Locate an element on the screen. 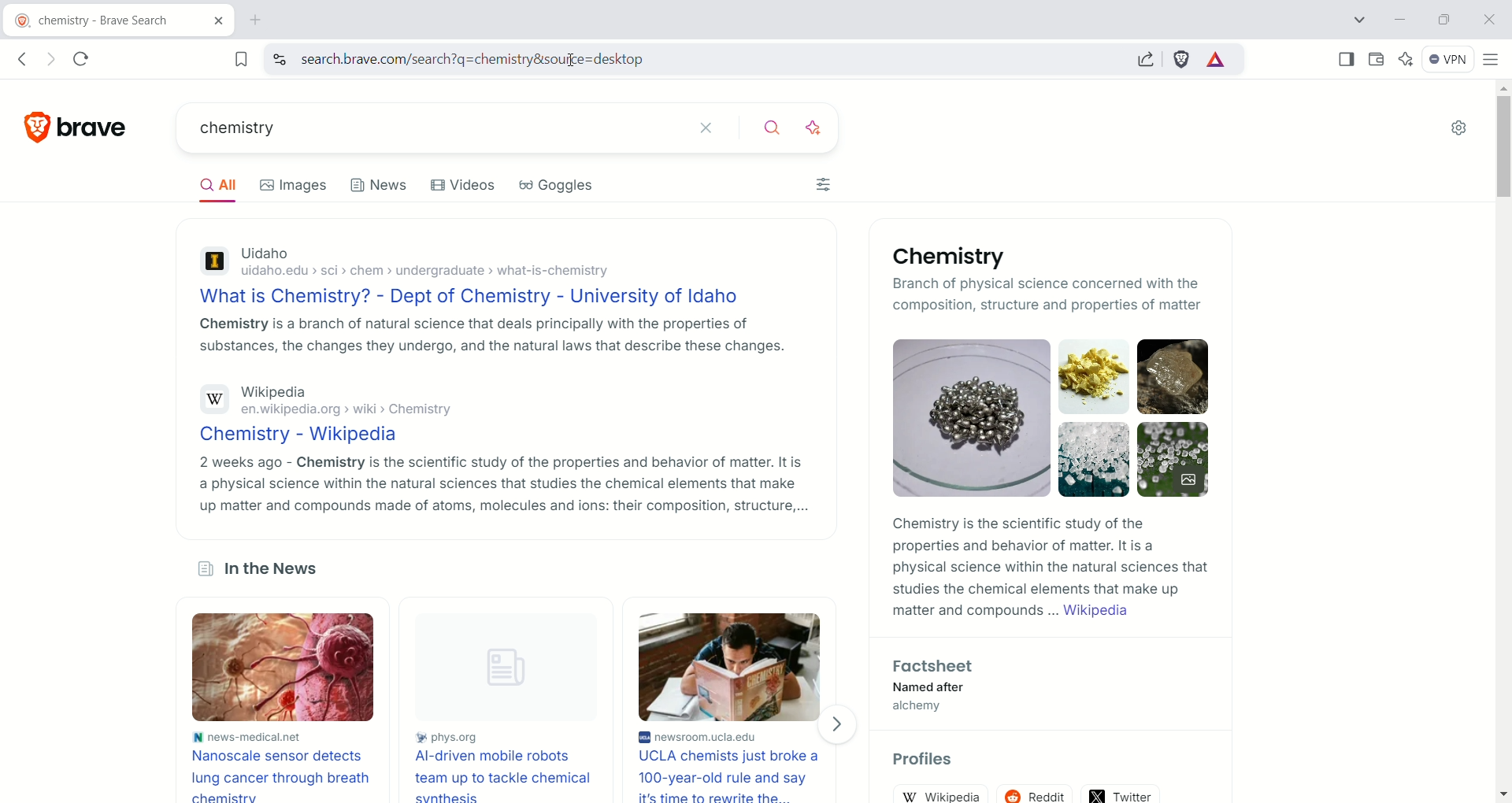  newsroom.ucla.edu is located at coordinates (736, 735).